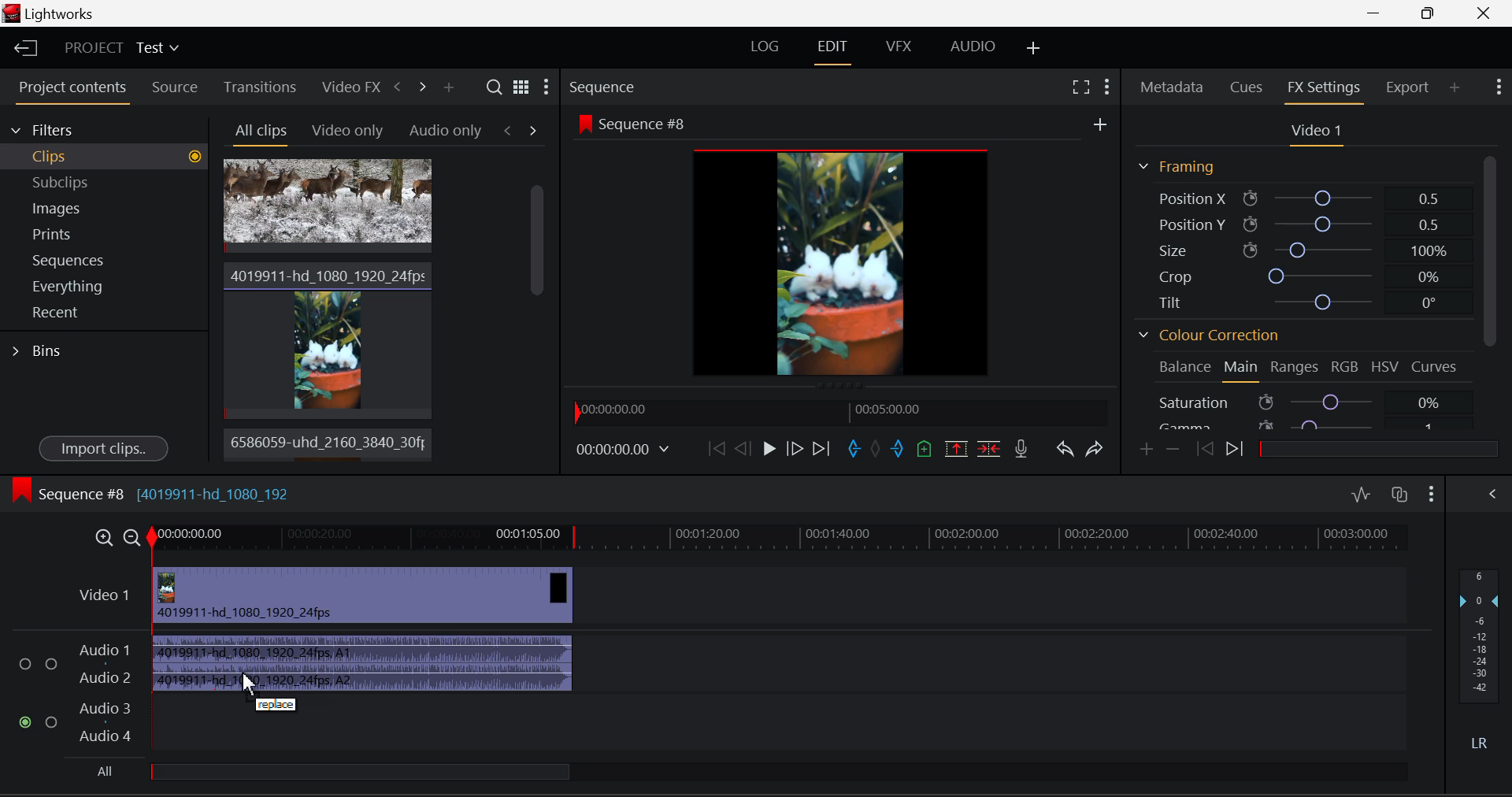  I want to click on Go Forward, so click(795, 450).